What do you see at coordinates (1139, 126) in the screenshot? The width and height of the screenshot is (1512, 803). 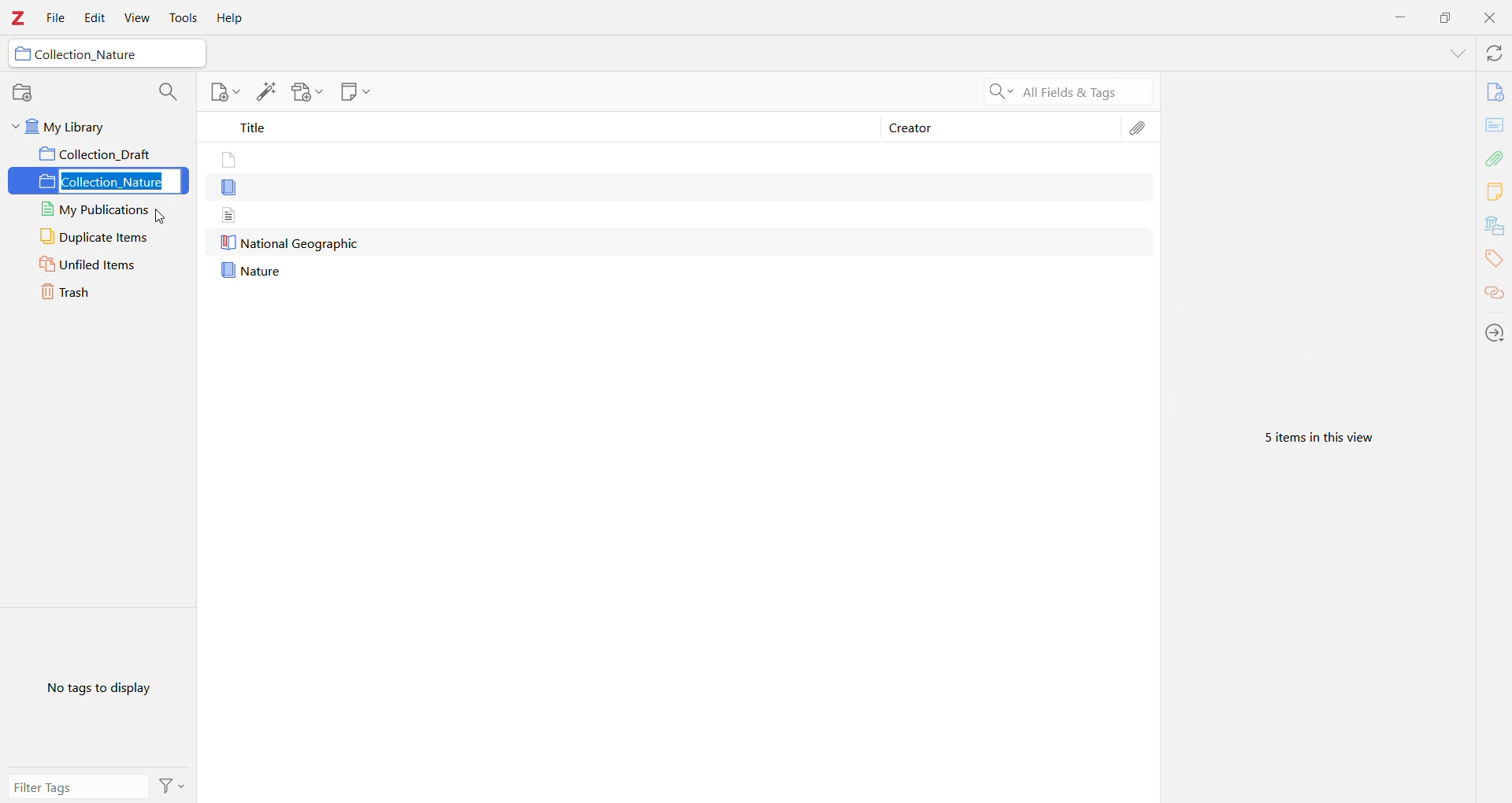 I see `Attachments` at bounding box center [1139, 126].